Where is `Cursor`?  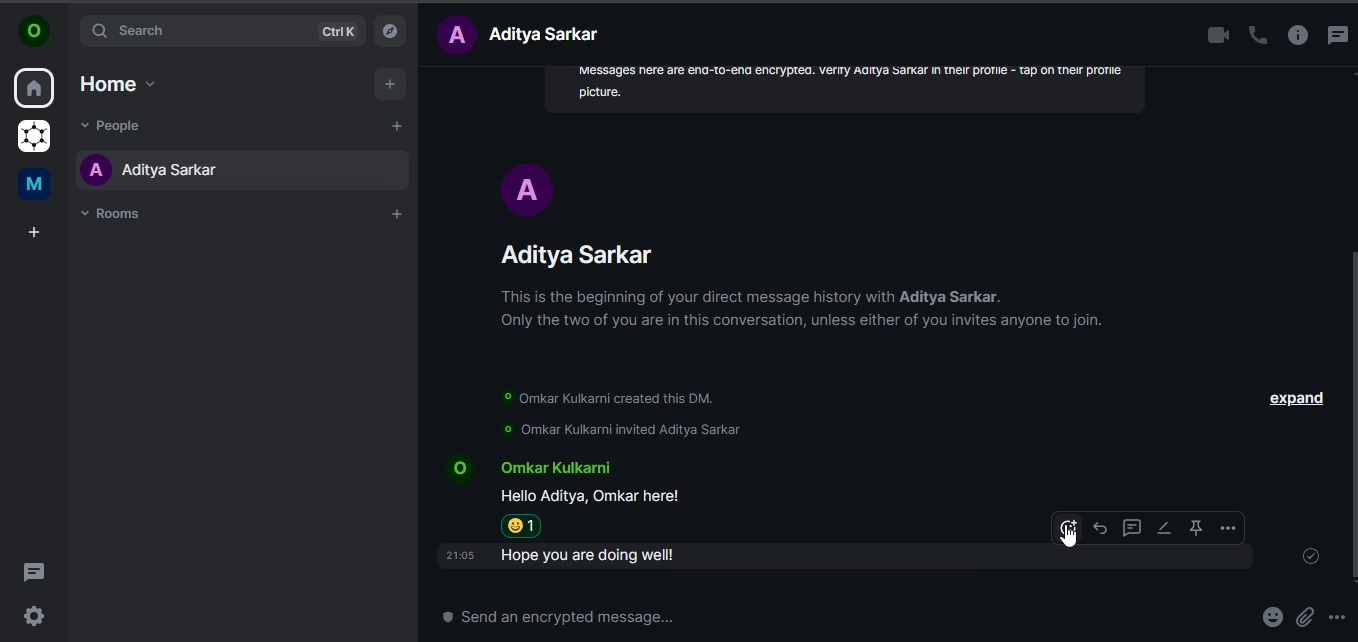
Cursor is located at coordinates (1069, 539).